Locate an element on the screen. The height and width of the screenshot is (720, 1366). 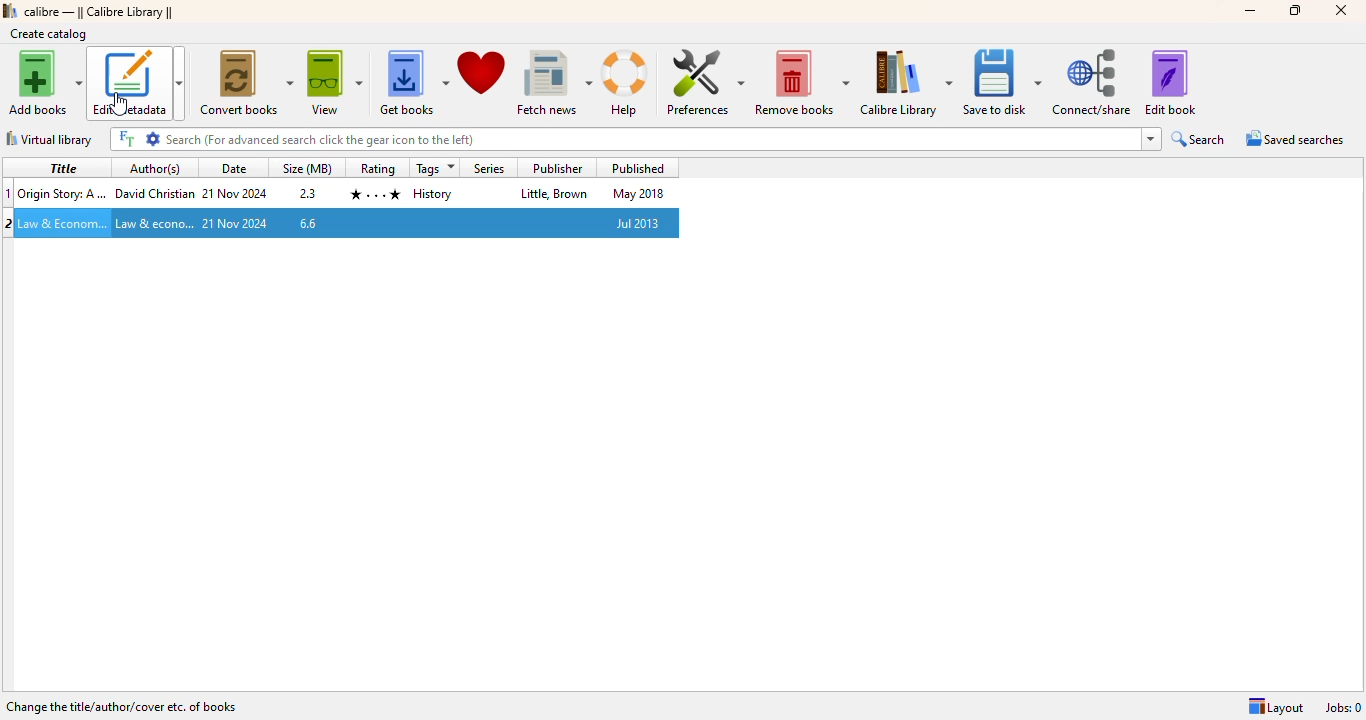
2.3 mbs is located at coordinates (309, 193).